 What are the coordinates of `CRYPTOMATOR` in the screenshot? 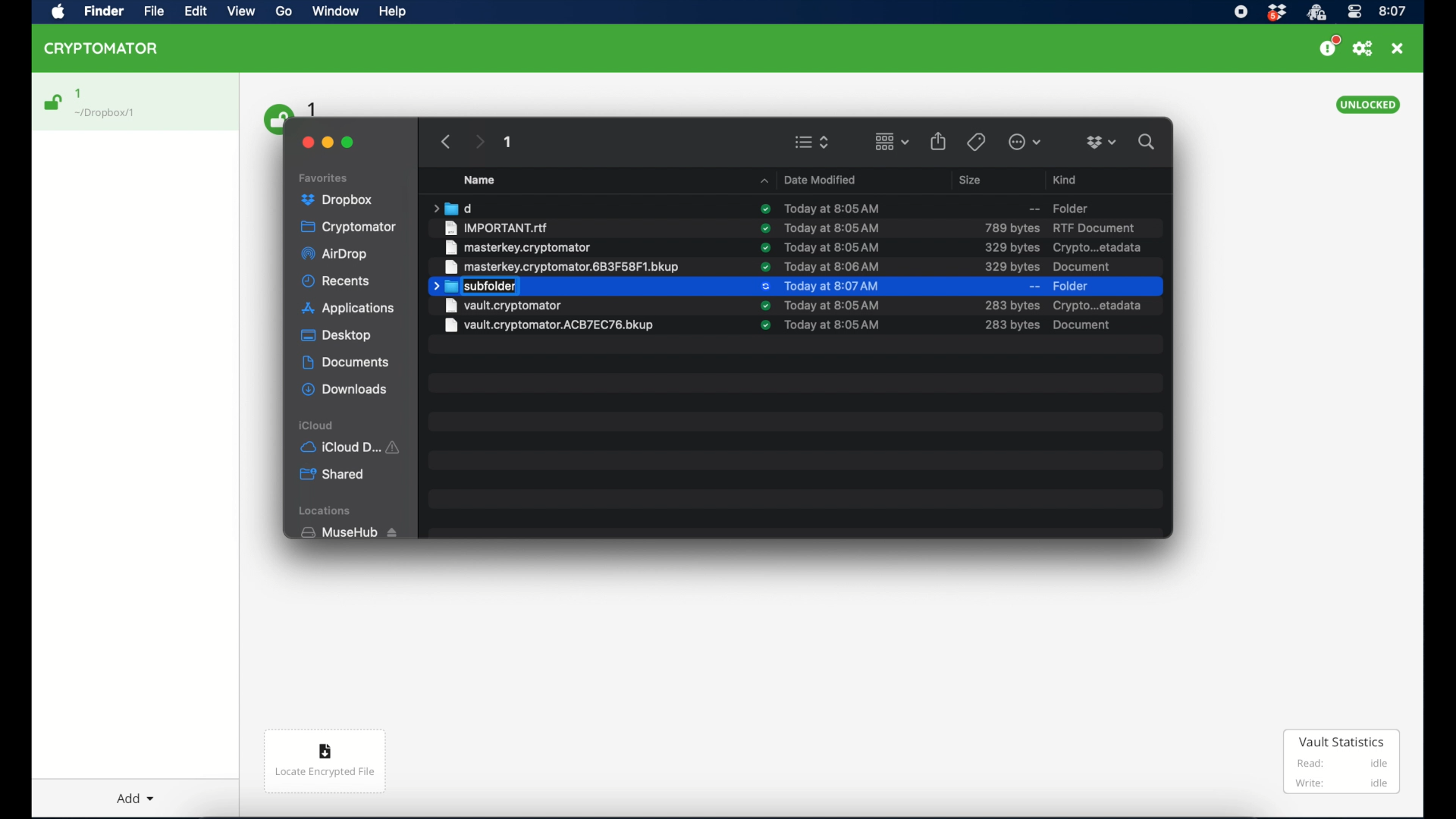 It's located at (108, 51).